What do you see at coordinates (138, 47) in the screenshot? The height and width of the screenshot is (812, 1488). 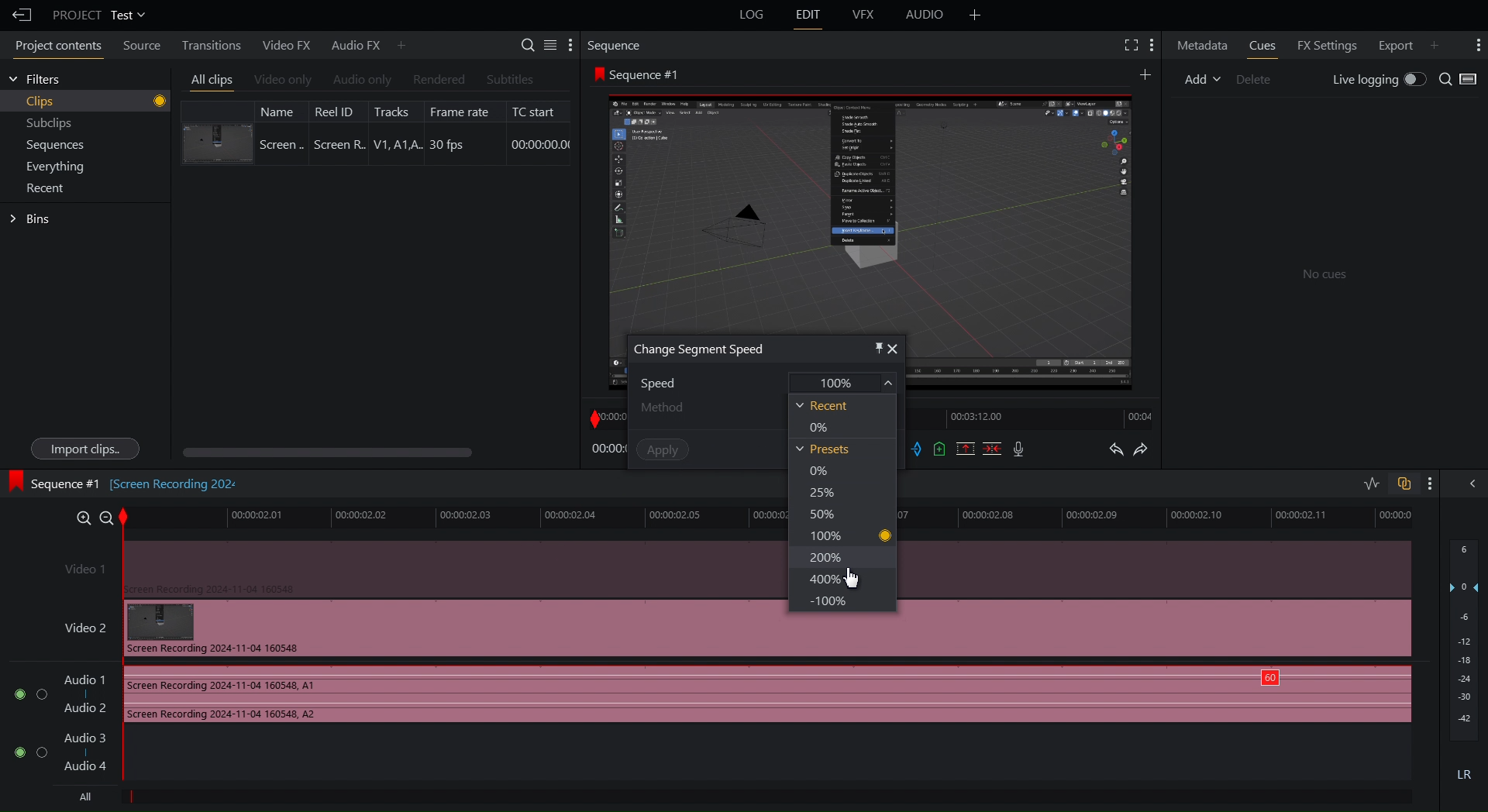 I see `Source` at bounding box center [138, 47].